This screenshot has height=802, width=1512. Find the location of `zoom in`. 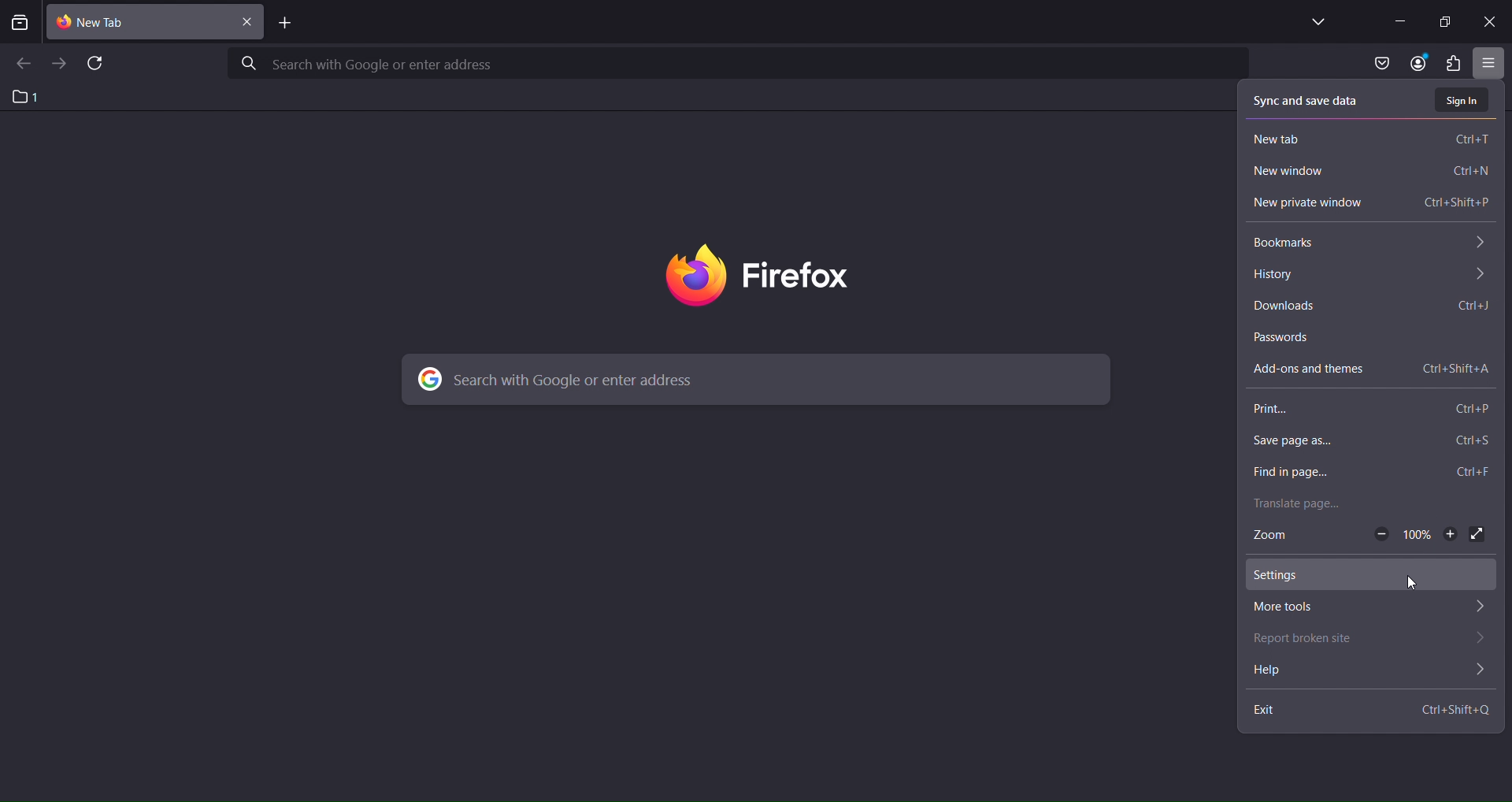

zoom in is located at coordinates (1449, 533).